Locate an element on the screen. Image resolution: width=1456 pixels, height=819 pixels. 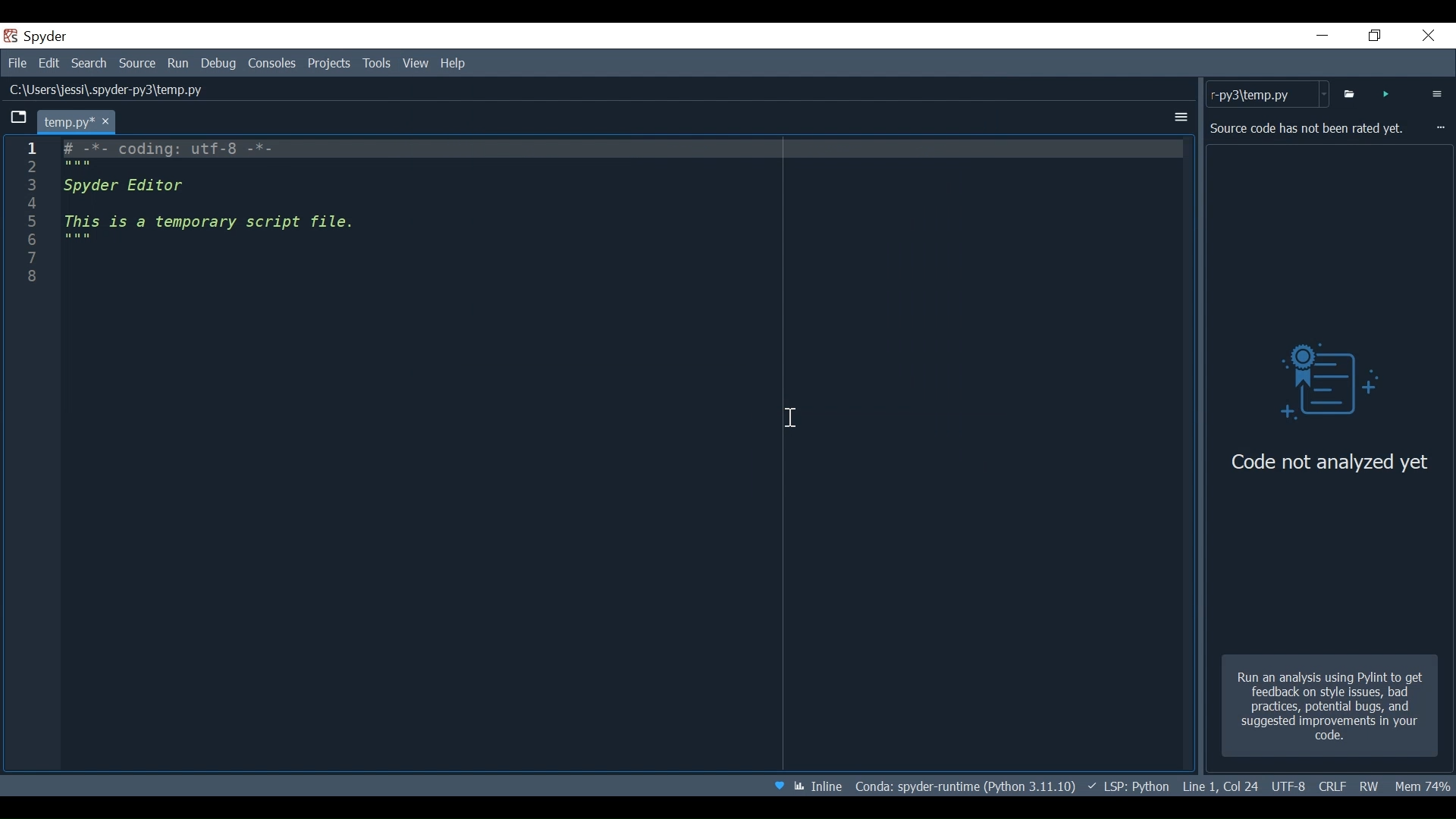
Toggle Inline and interactive Matplotlib plotting is located at coordinates (817, 786).